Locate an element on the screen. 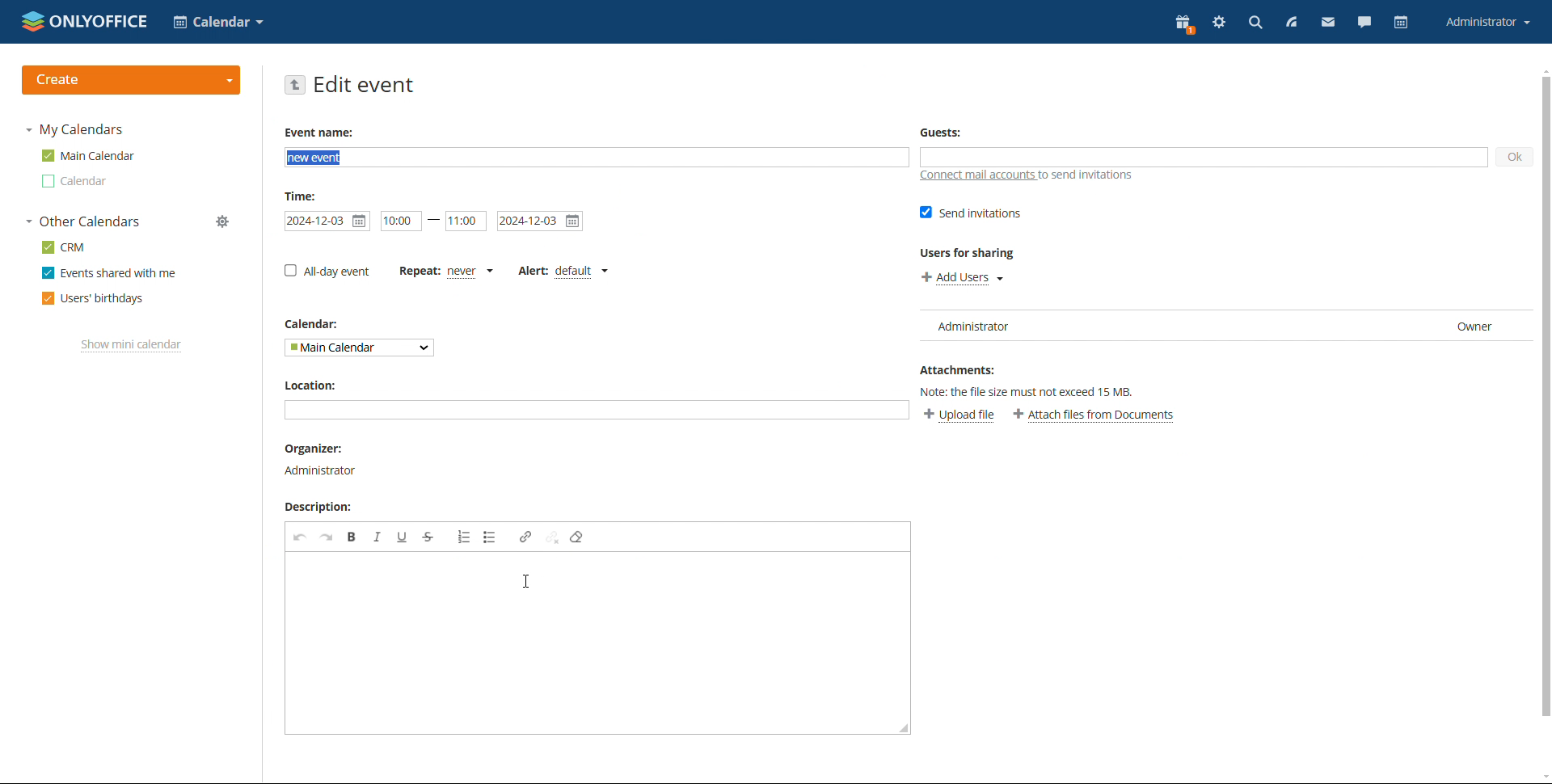  upload file is located at coordinates (959, 415).